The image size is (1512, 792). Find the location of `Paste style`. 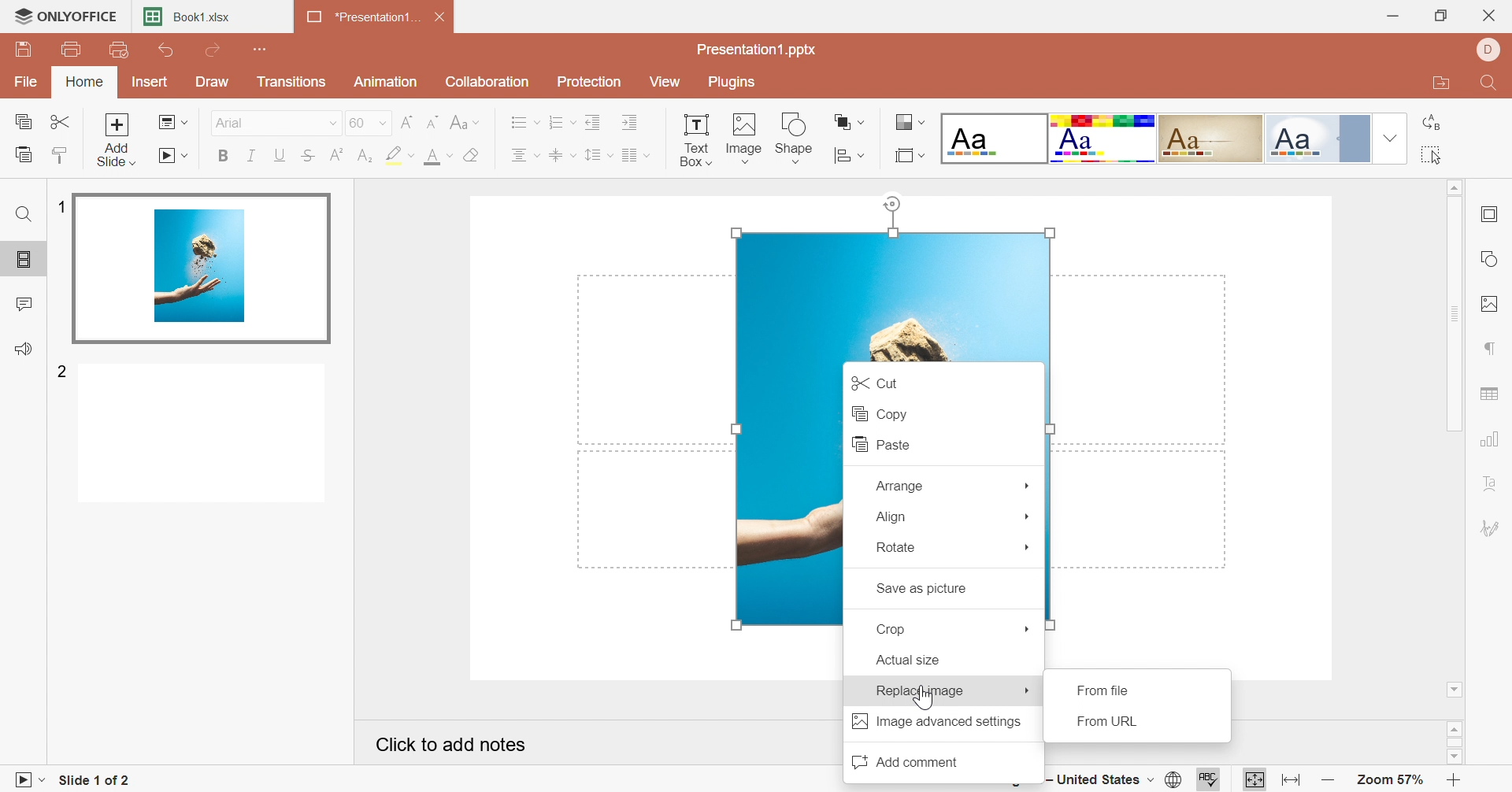

Paste style is located at coordinates (64, 154).